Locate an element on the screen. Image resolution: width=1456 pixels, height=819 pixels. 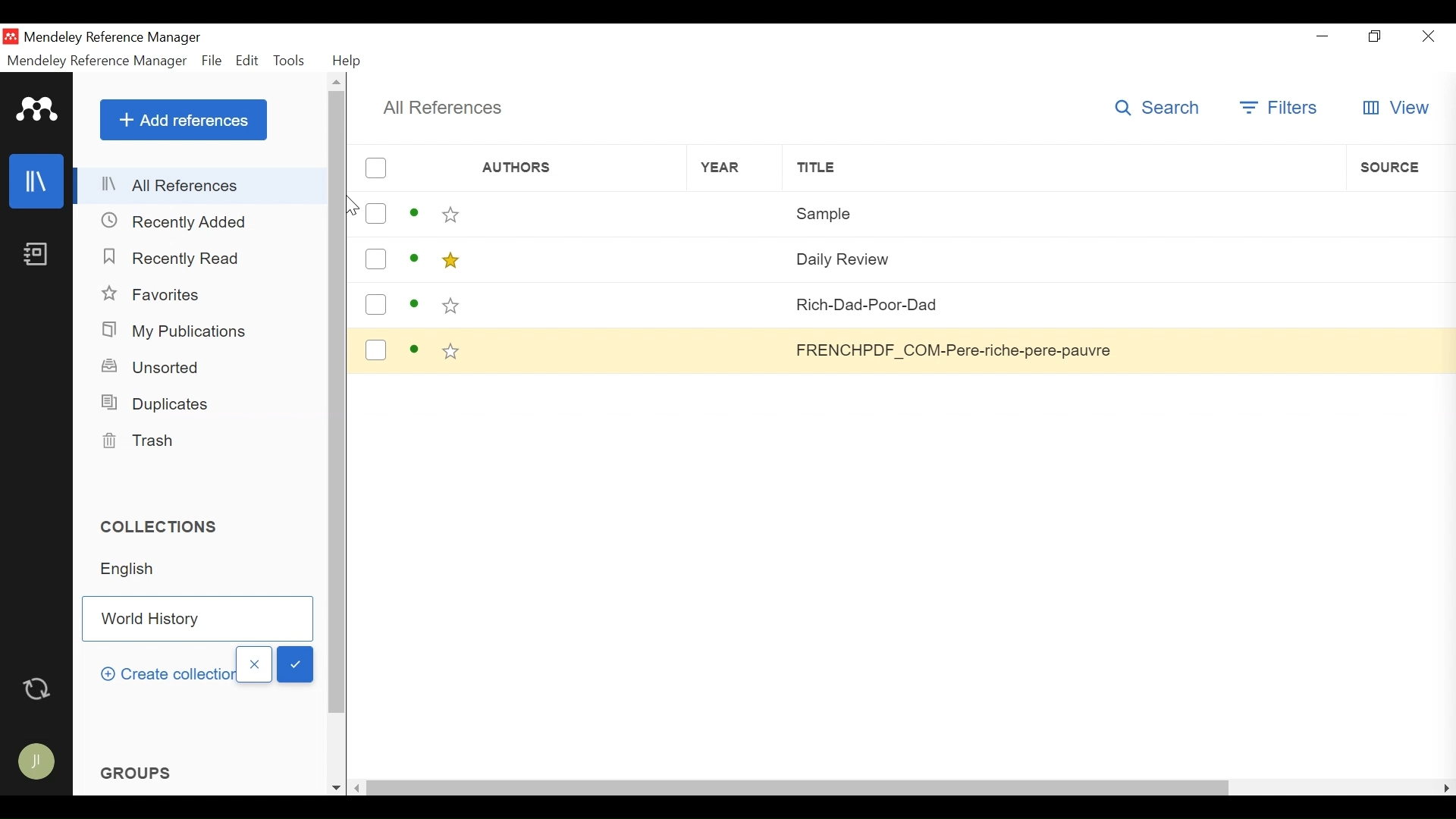
minimize is located at coordinates (1326, 36).